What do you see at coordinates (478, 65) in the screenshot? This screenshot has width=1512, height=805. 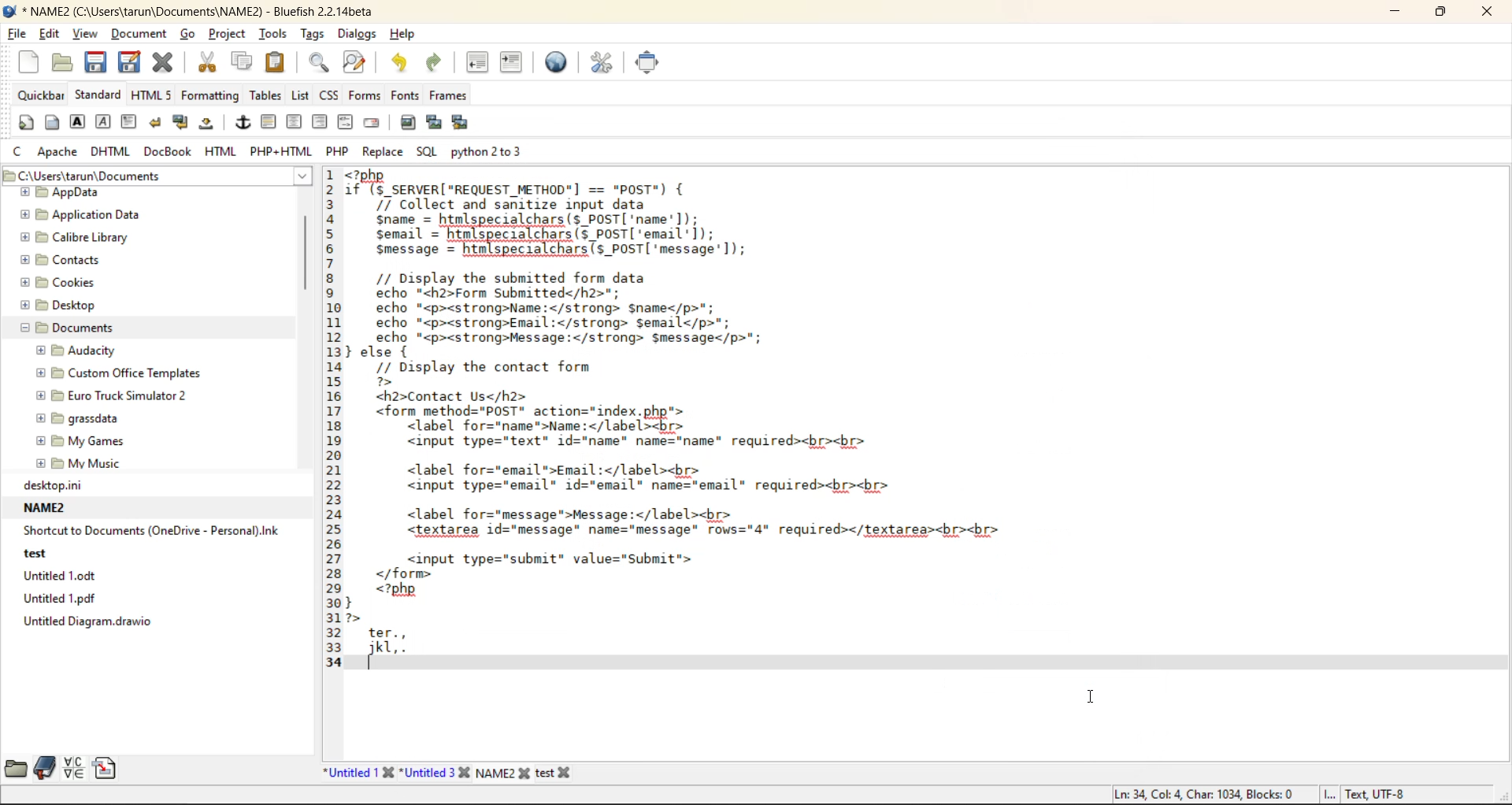 I see `unindent` at bounding box center [478, 65].